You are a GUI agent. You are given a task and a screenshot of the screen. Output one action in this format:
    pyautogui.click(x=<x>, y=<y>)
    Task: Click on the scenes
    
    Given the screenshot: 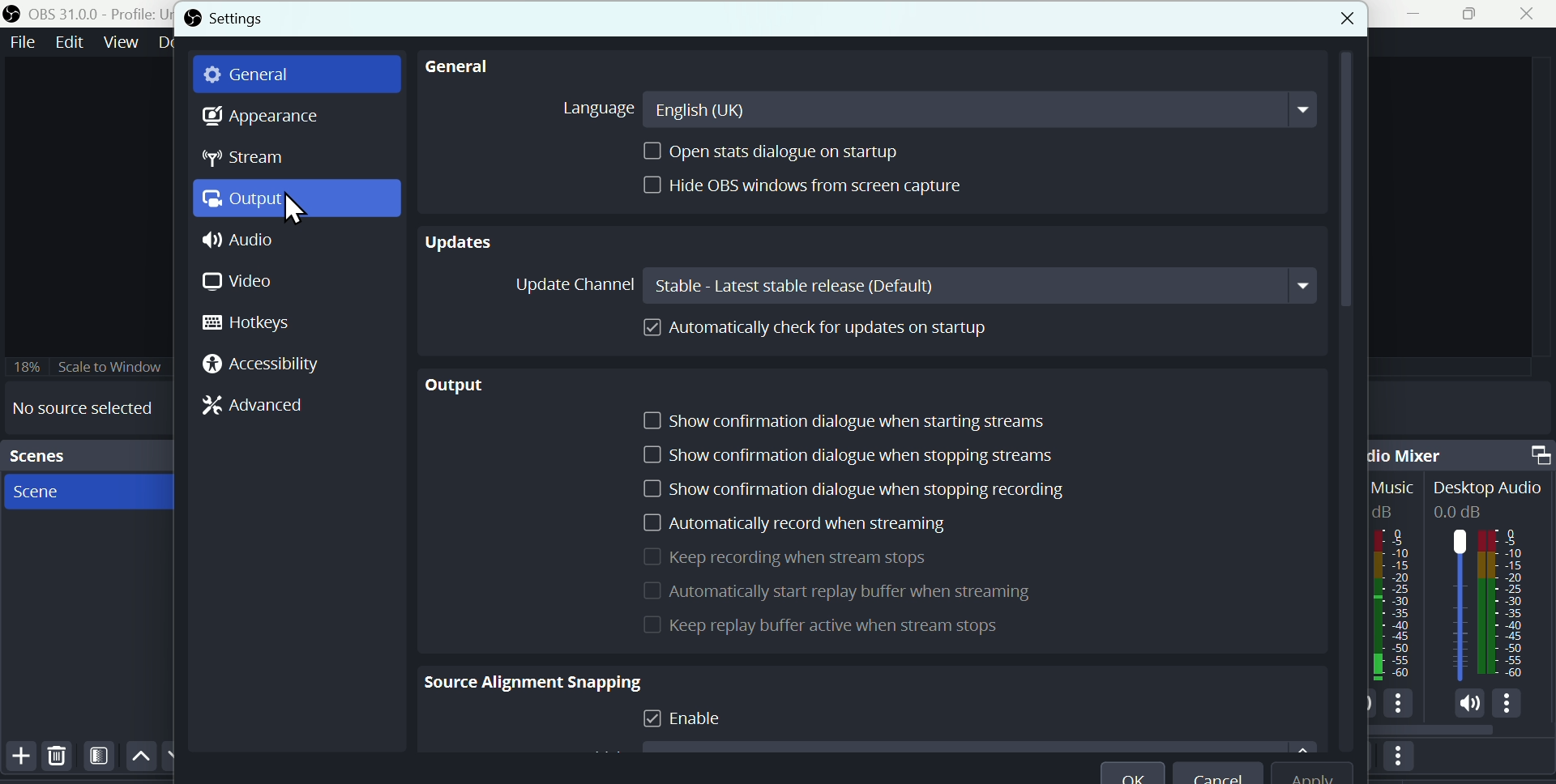 What is the action you would take?
    pyautogui.click(x=86, y=458)
    